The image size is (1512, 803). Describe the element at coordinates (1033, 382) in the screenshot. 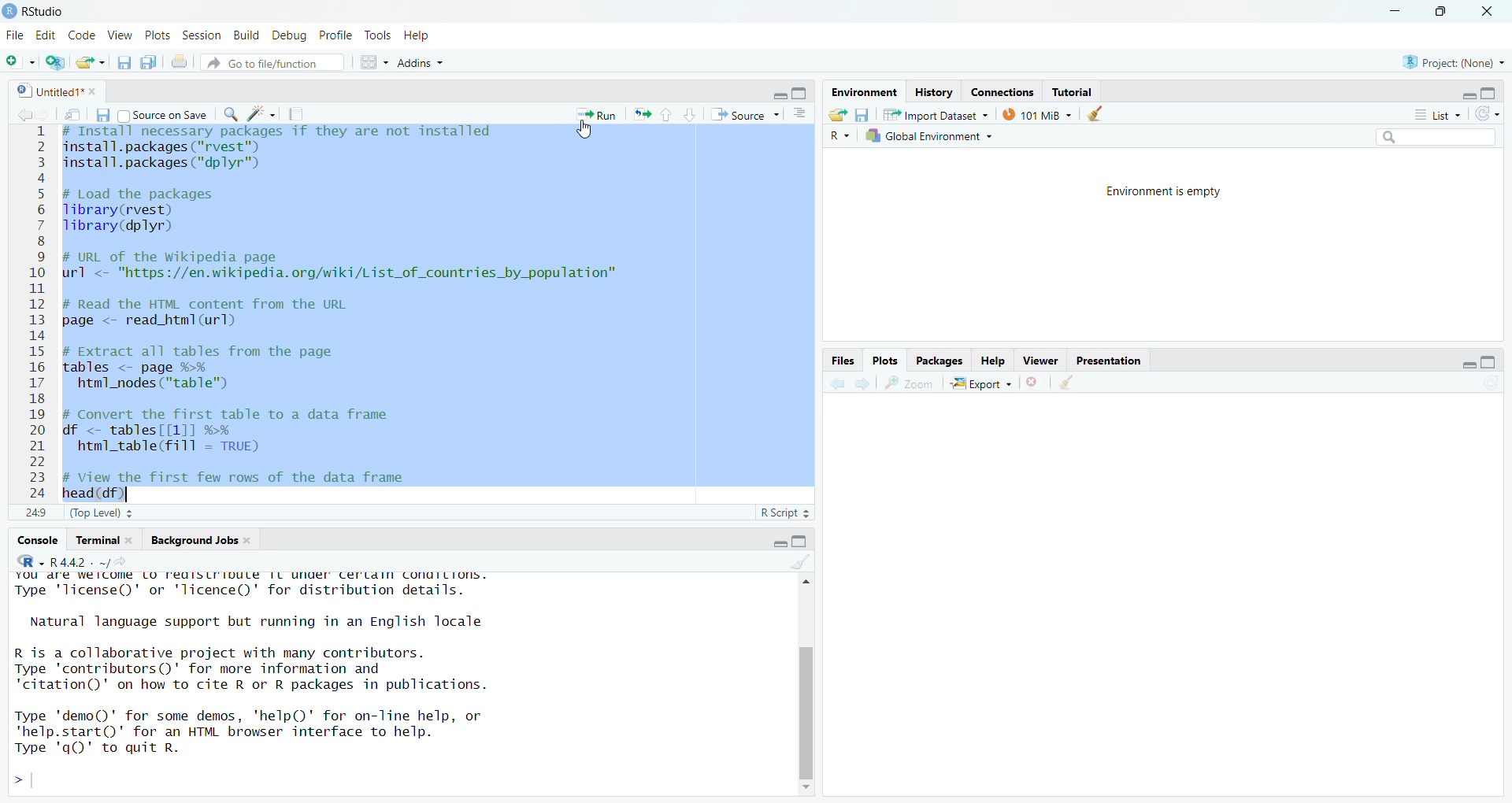

I see `close` at that location.